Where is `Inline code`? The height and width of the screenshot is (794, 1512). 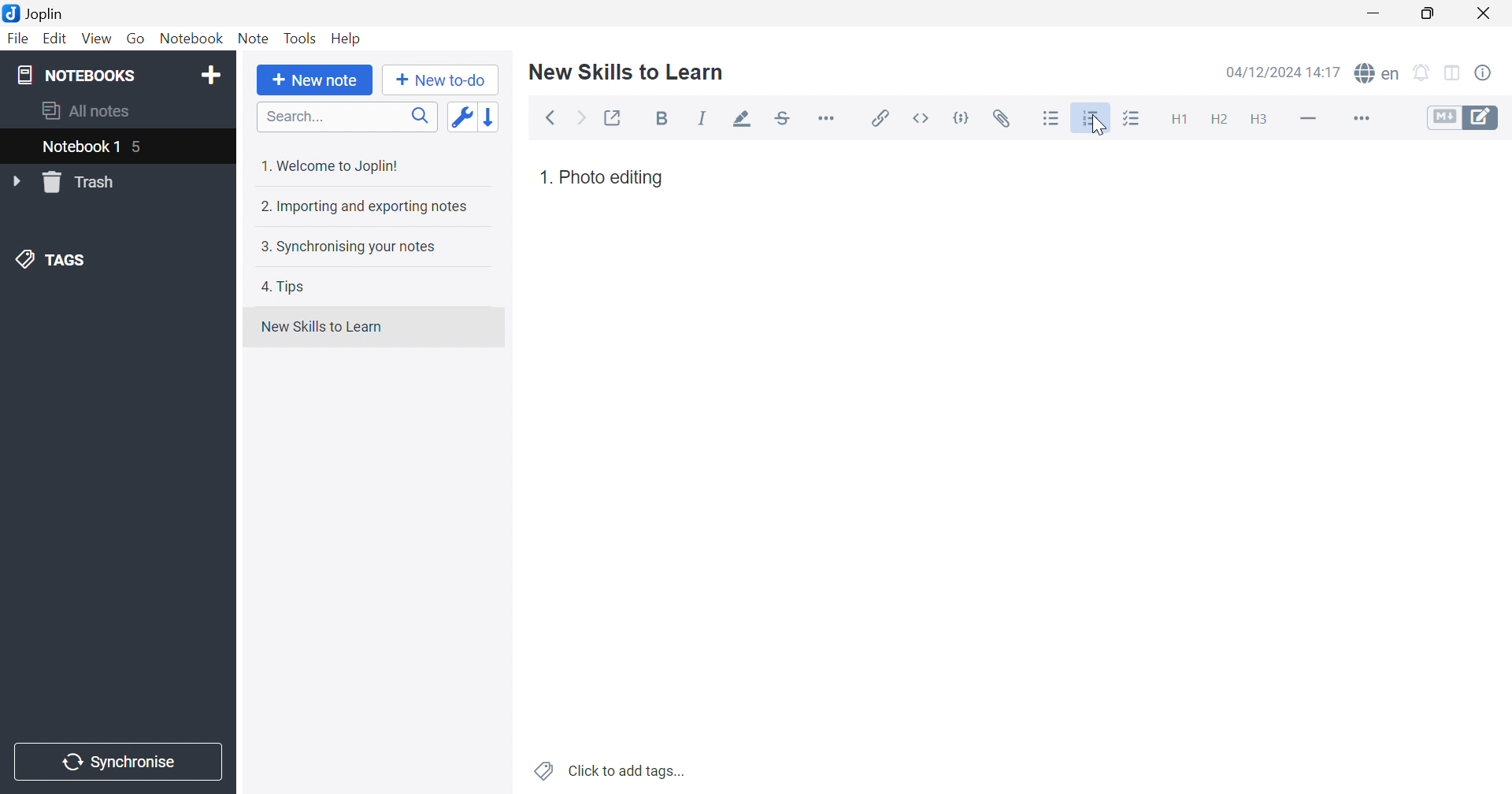
Inline code is located at coordinates (924, 118).